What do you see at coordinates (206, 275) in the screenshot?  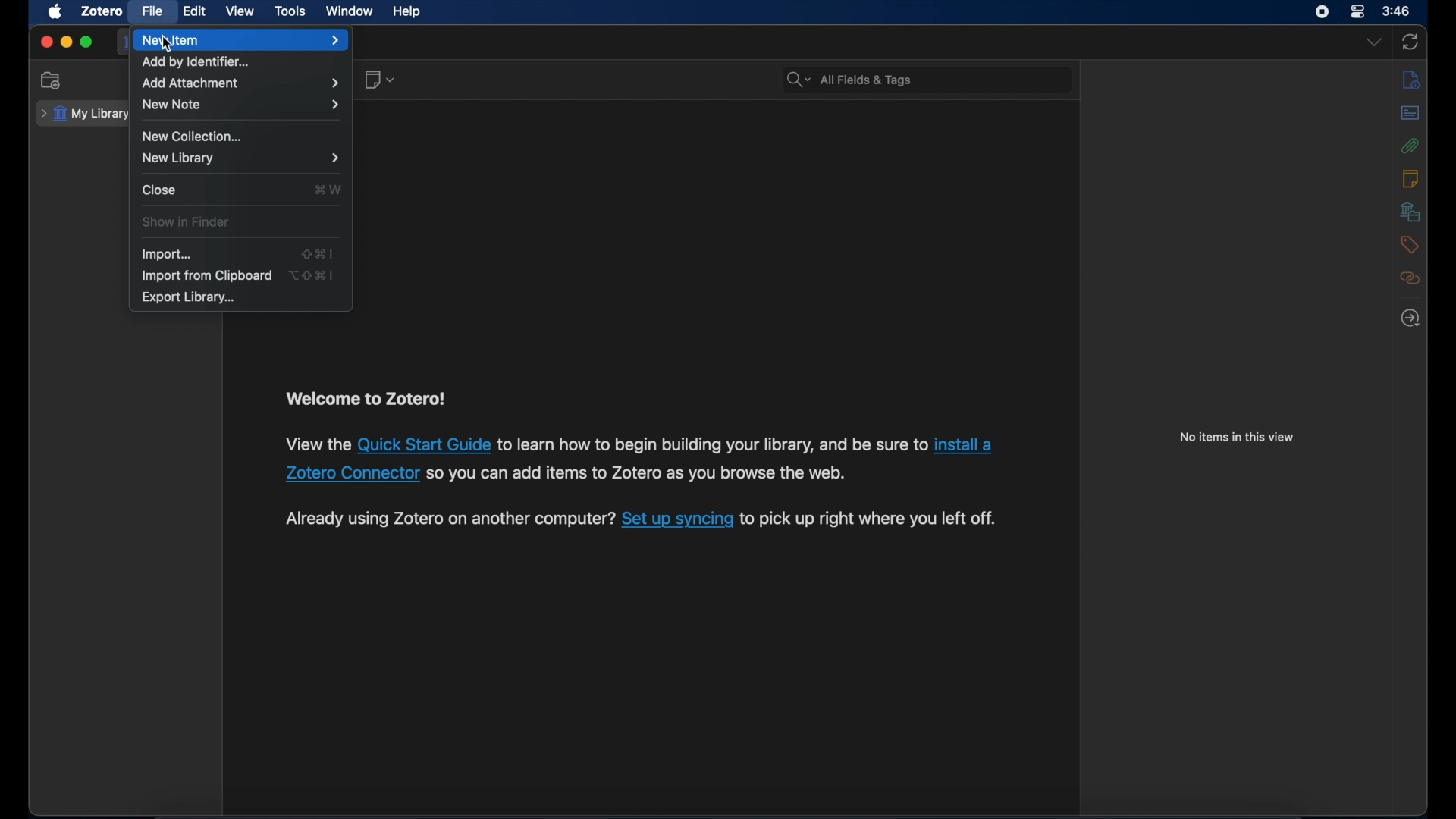 I see `import from clipboard` at bounding box center [206, 275].